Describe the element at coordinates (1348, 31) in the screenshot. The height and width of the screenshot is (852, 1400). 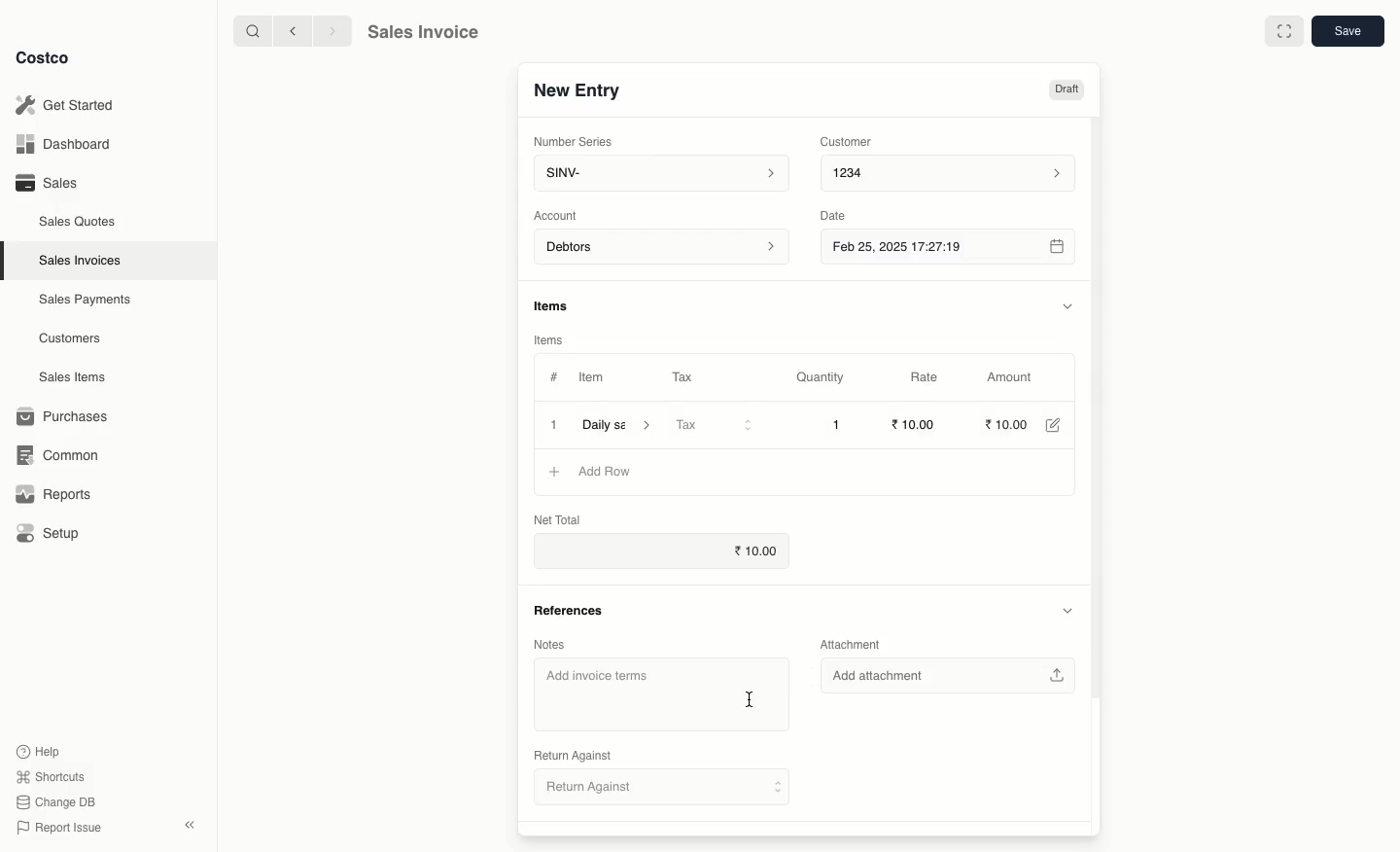
I see `Save` at that location.